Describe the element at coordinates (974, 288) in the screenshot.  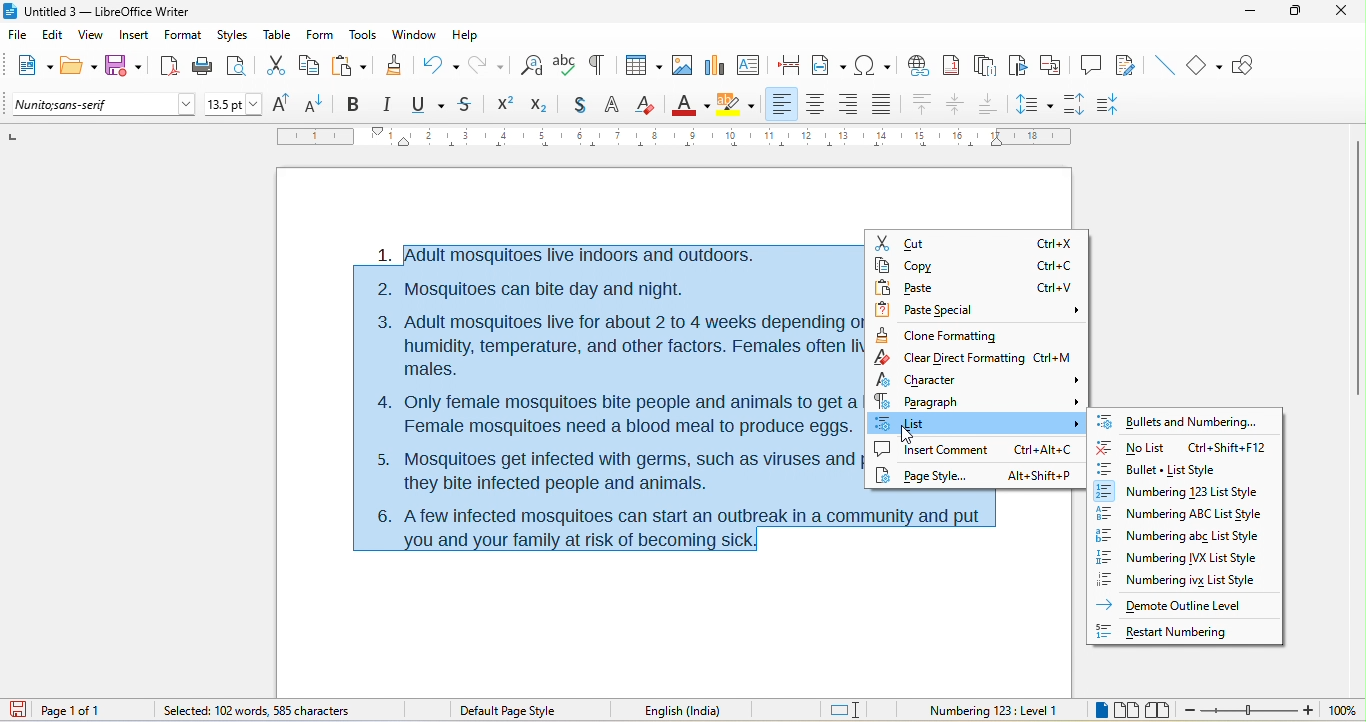
I see `paste` at that location.